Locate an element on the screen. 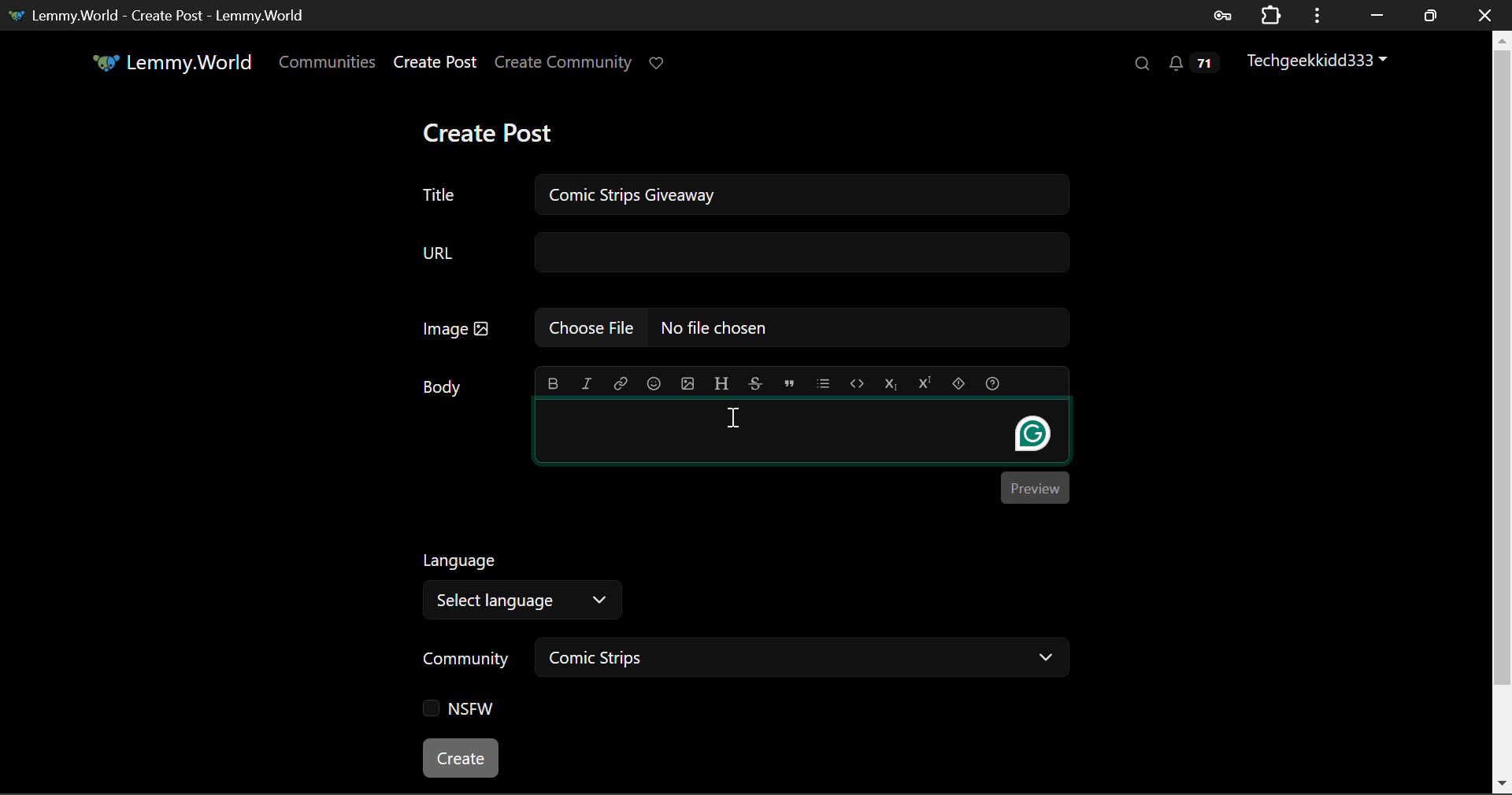 The height and width of the screenshot is (795, 1512). Options is located at coordinates (1315, 15).